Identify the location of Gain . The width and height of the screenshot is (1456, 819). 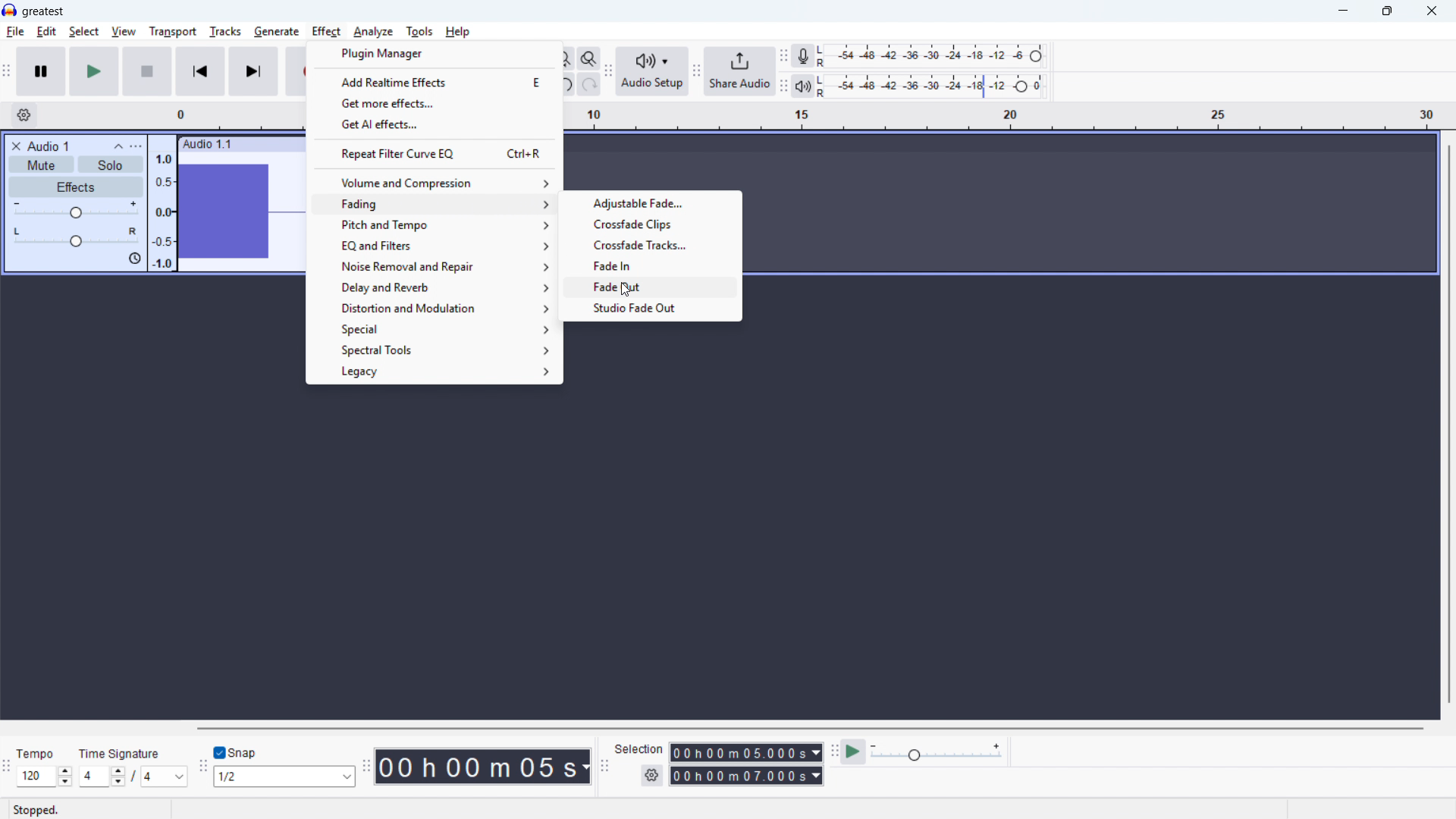
(76, 211).